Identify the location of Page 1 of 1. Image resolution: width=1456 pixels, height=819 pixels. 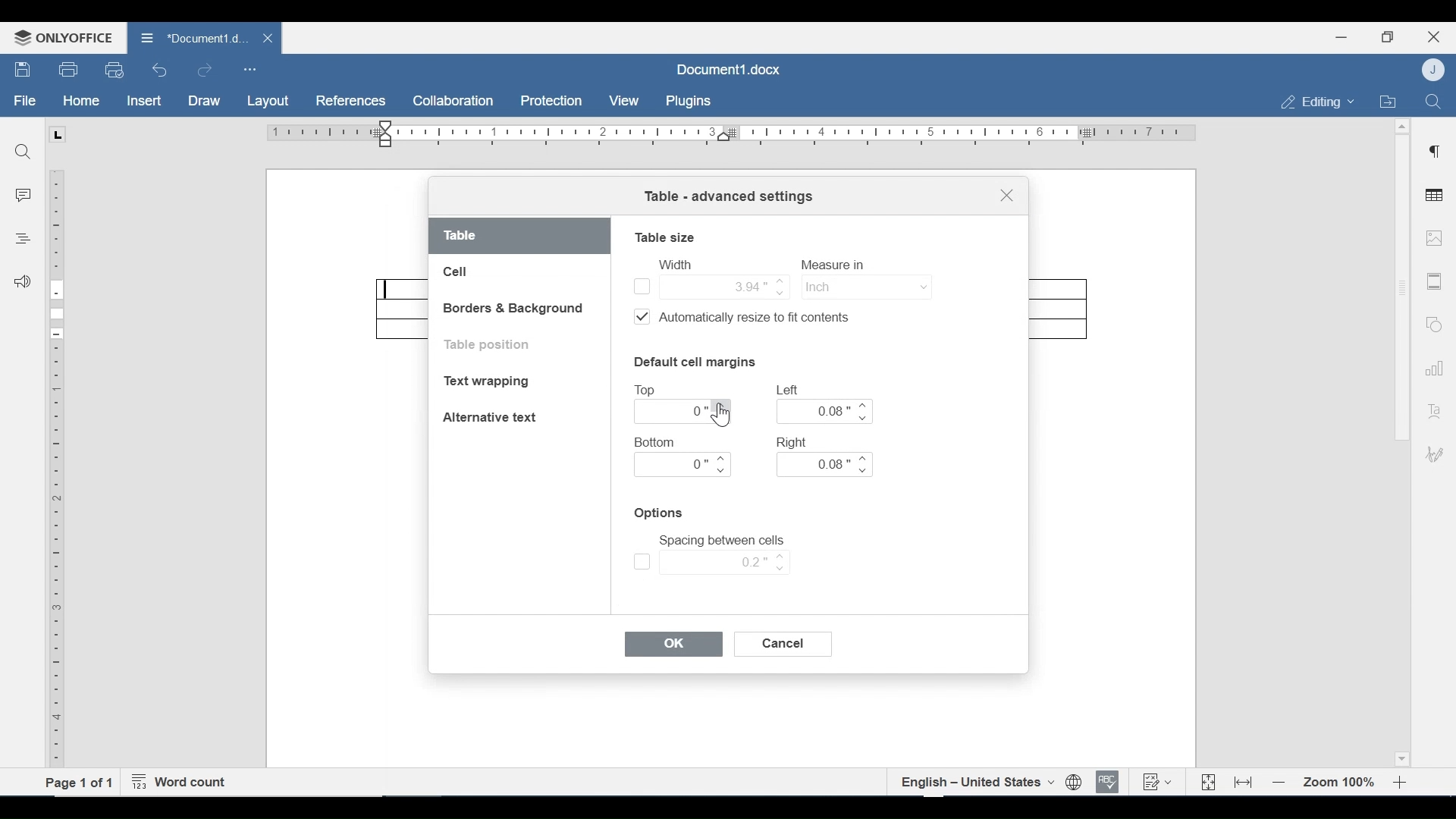
(80, 782).